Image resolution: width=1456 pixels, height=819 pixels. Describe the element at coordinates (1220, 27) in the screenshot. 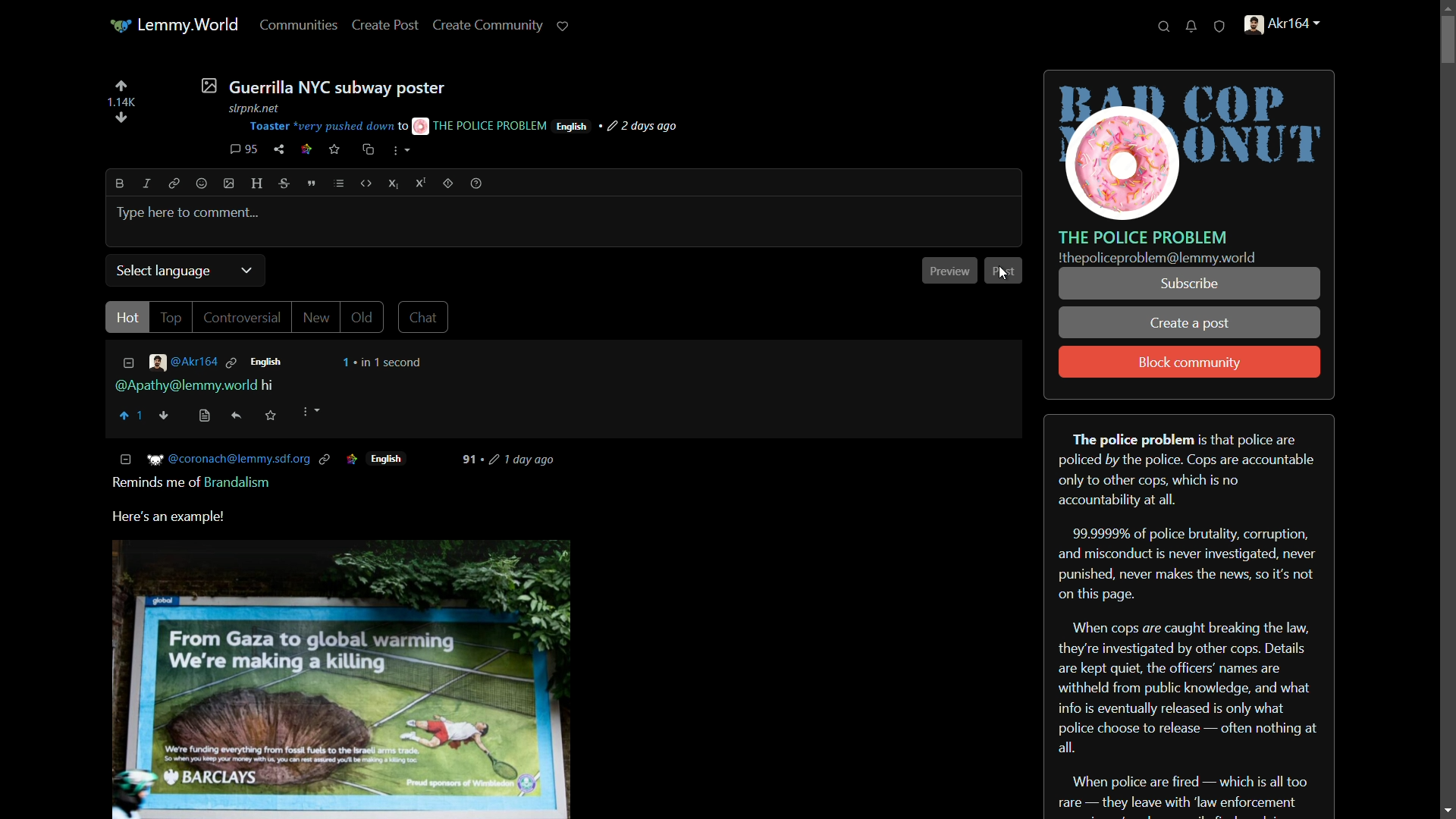

I see `unread reports` at that location.